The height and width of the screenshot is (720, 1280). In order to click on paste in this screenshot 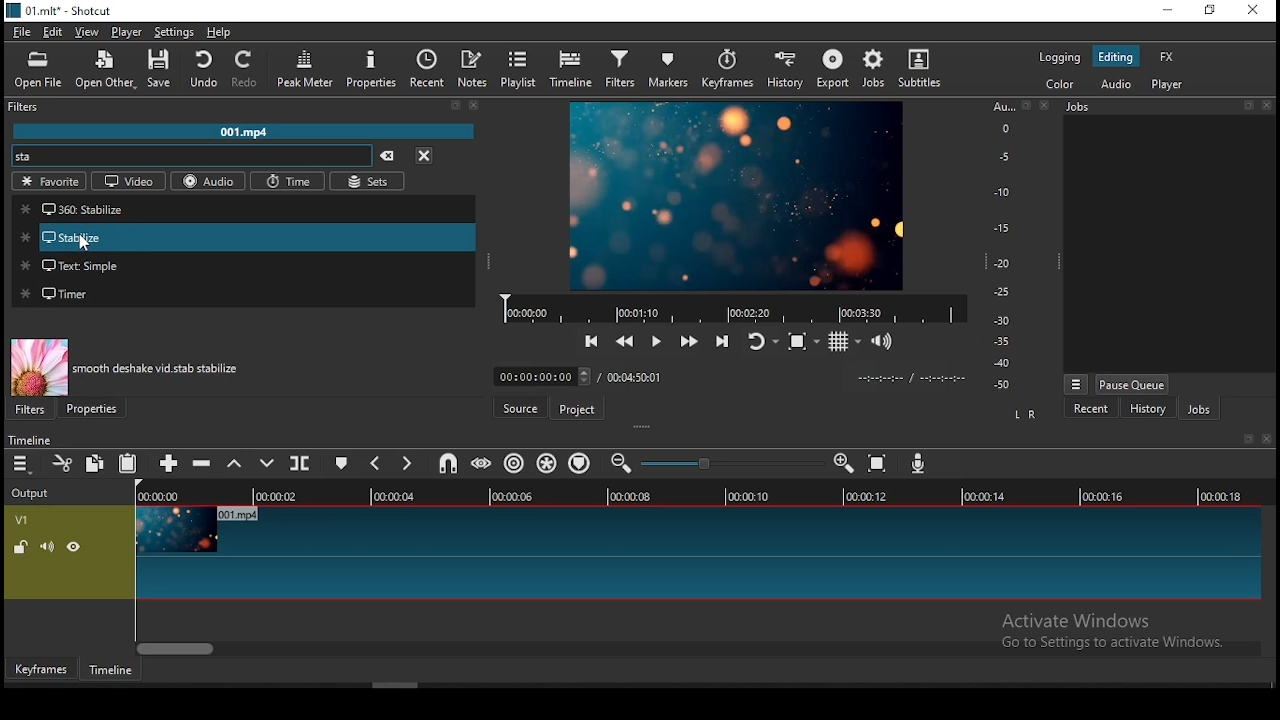, I will do `click(128, 464)`.